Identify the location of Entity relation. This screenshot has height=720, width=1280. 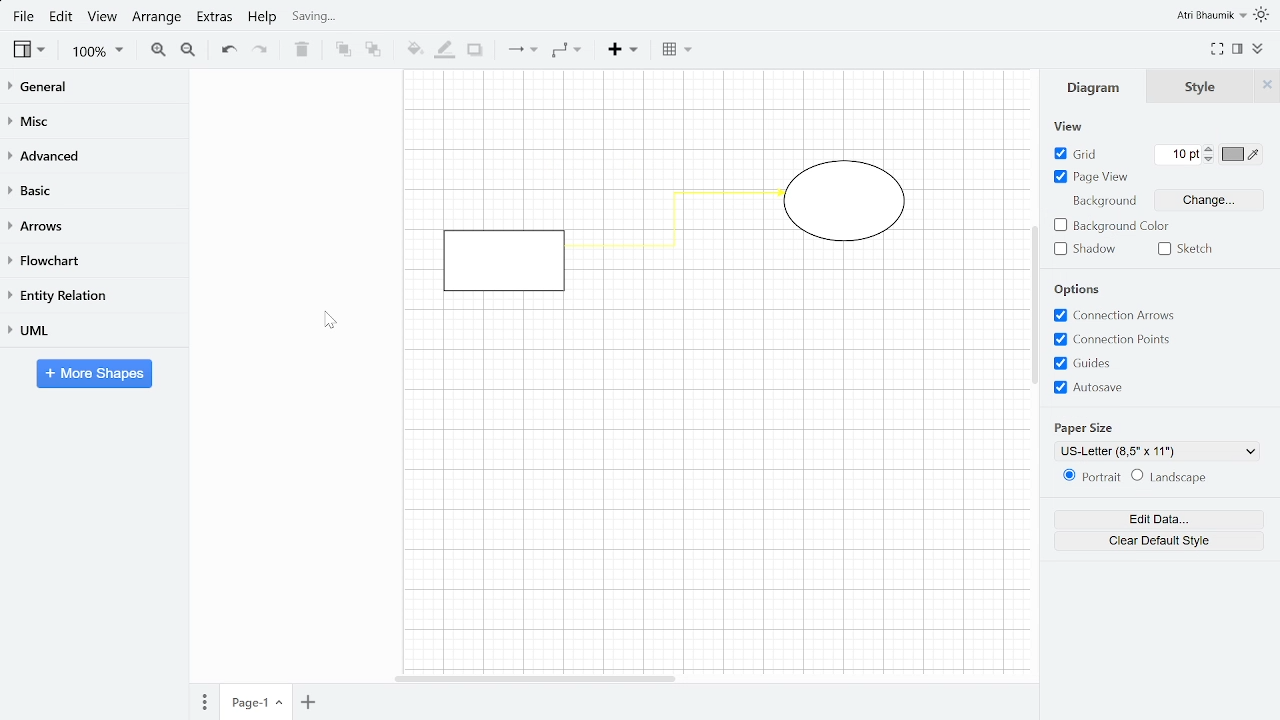
(91, 294).